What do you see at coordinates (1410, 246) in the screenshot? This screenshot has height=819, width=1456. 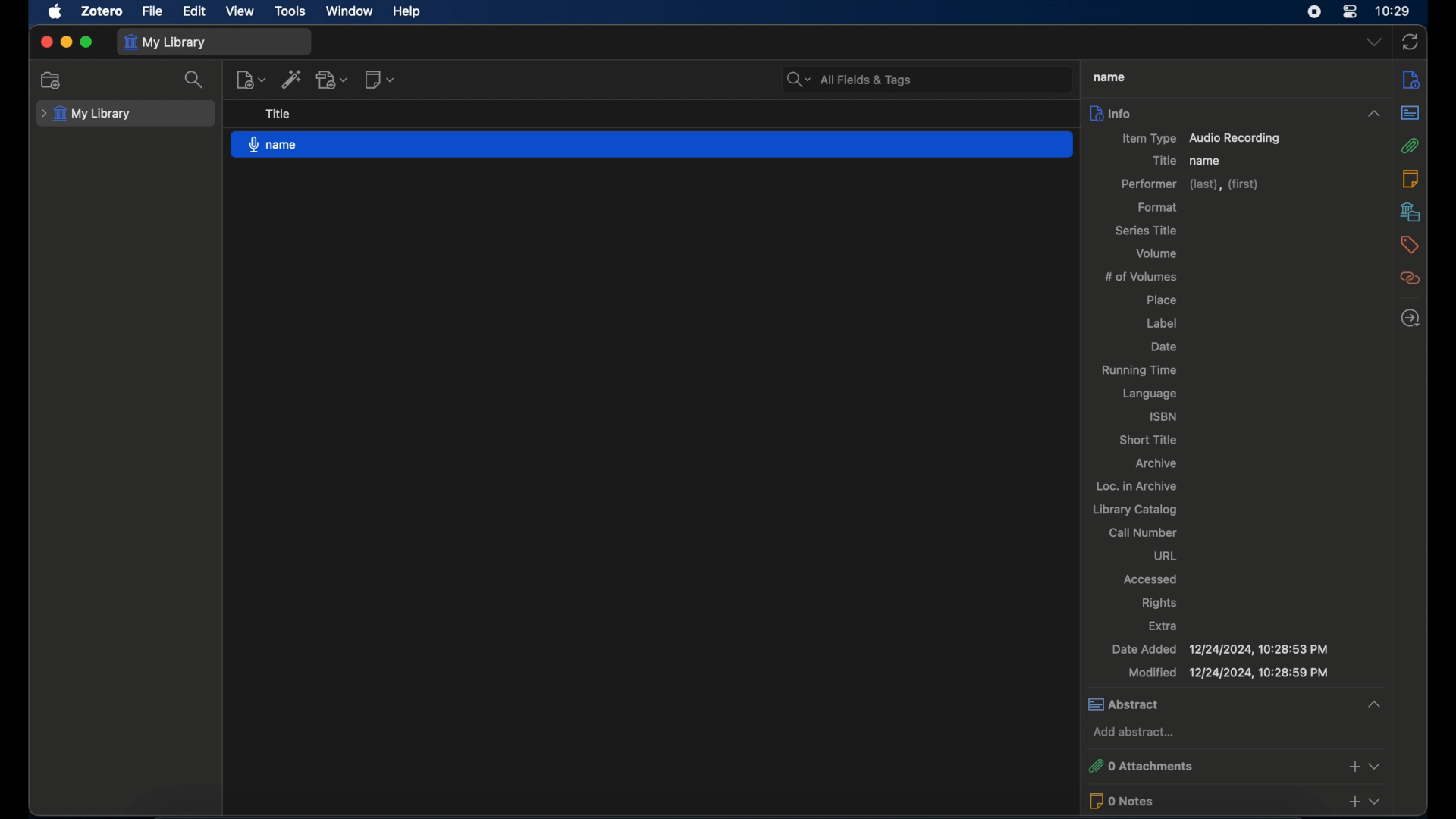 I see `tags` at bounding box center [1410, 246].